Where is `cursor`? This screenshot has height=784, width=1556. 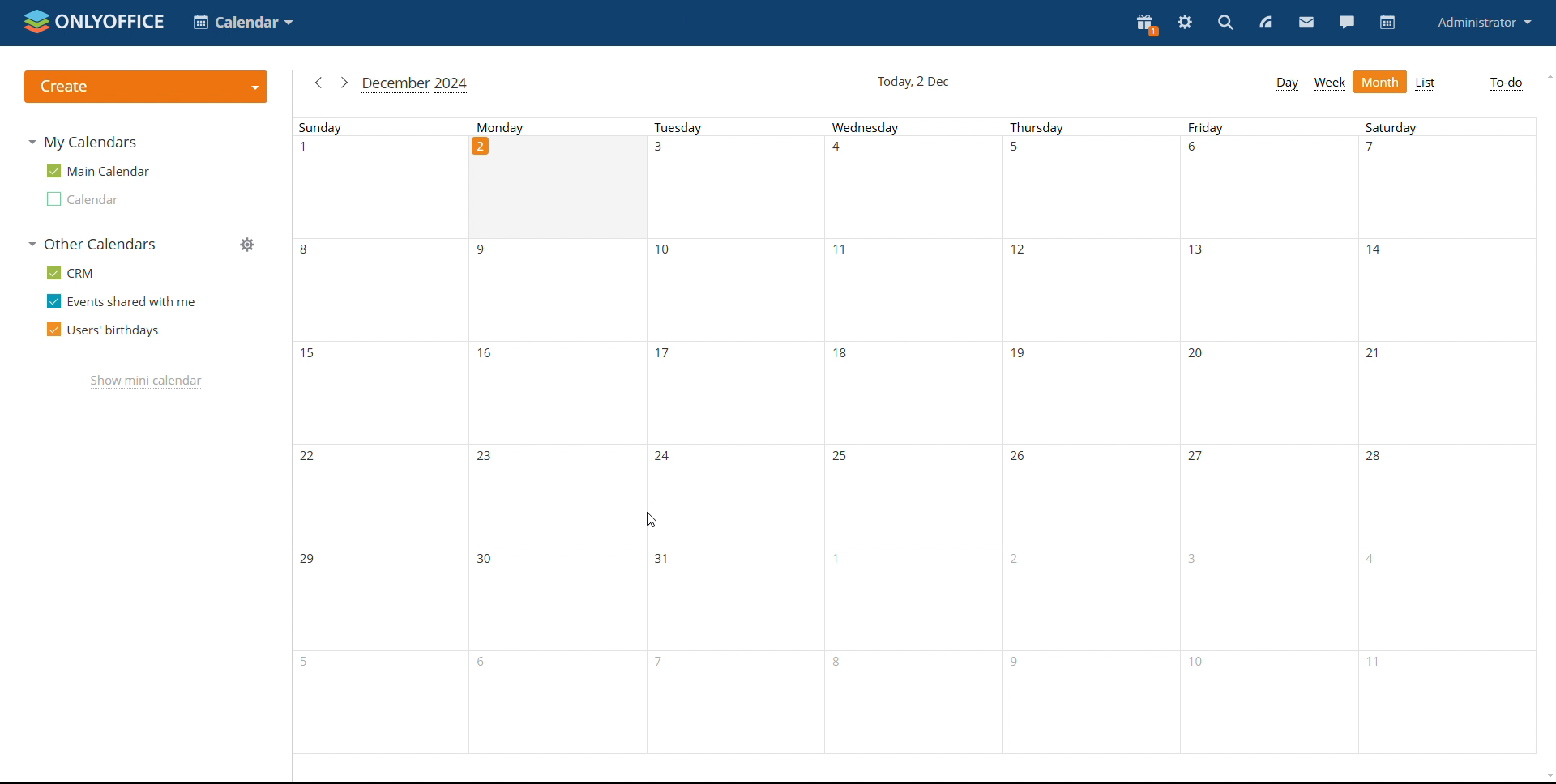
cursor is located at coordinates (651, 522).